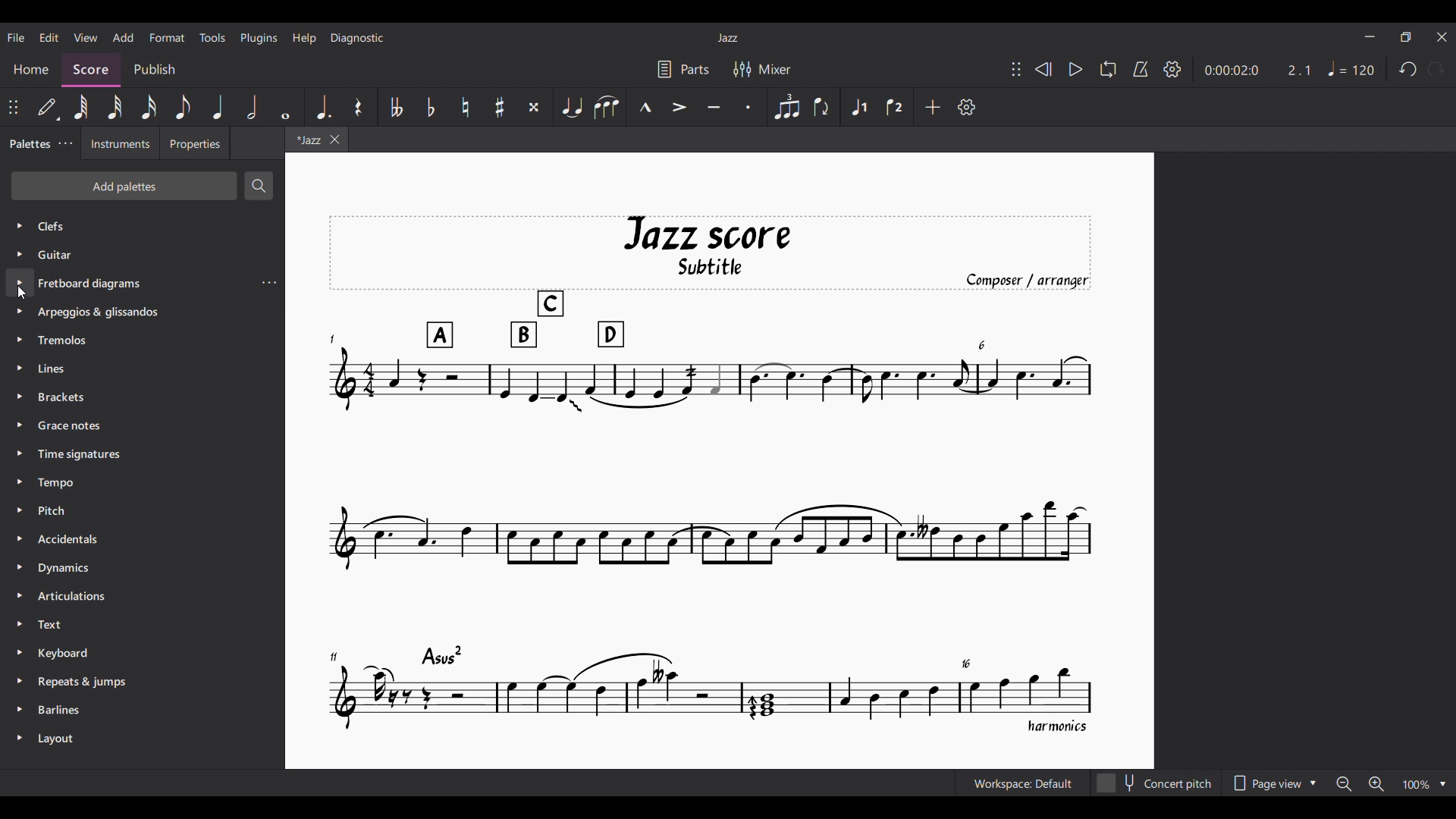 This screenshot has width=1456, height=819. Describe the element at coordinates (1437, 69) in the screenshot. I see `Redo` at that location.